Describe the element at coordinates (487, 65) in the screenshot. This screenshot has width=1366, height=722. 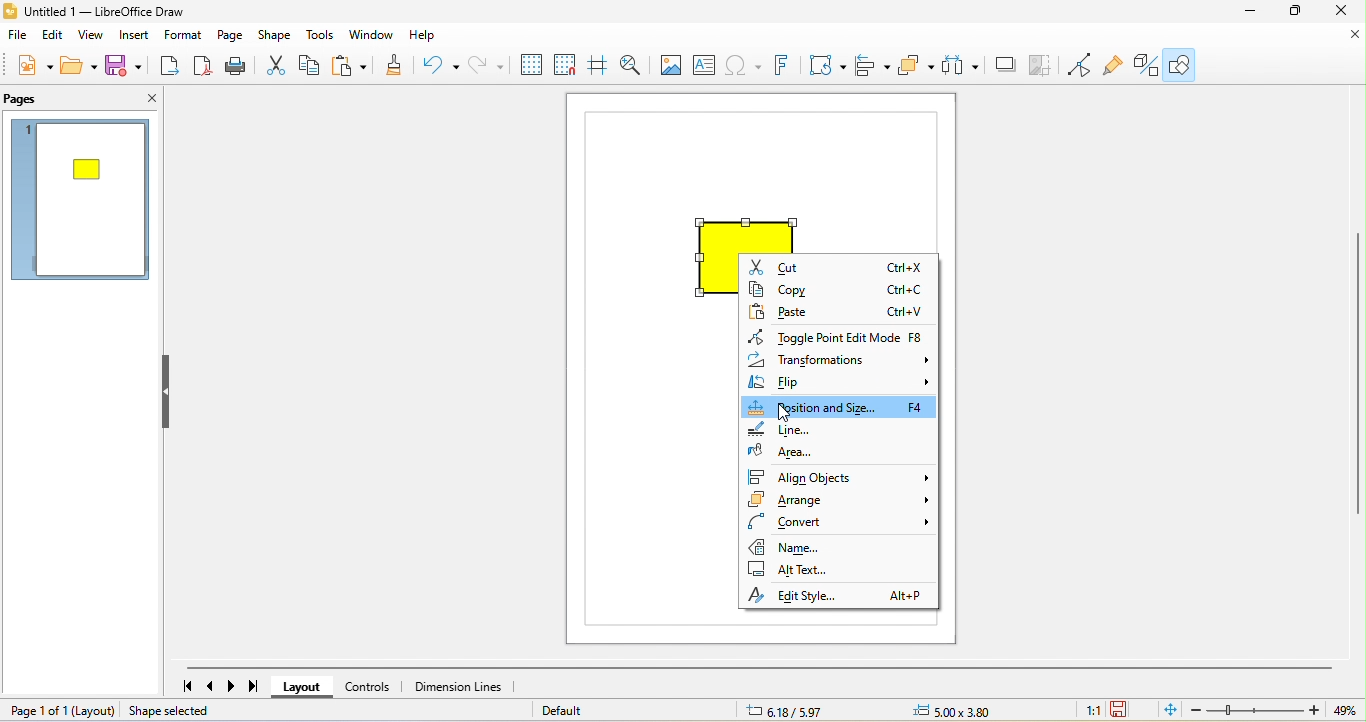
I see `redo` at that location.